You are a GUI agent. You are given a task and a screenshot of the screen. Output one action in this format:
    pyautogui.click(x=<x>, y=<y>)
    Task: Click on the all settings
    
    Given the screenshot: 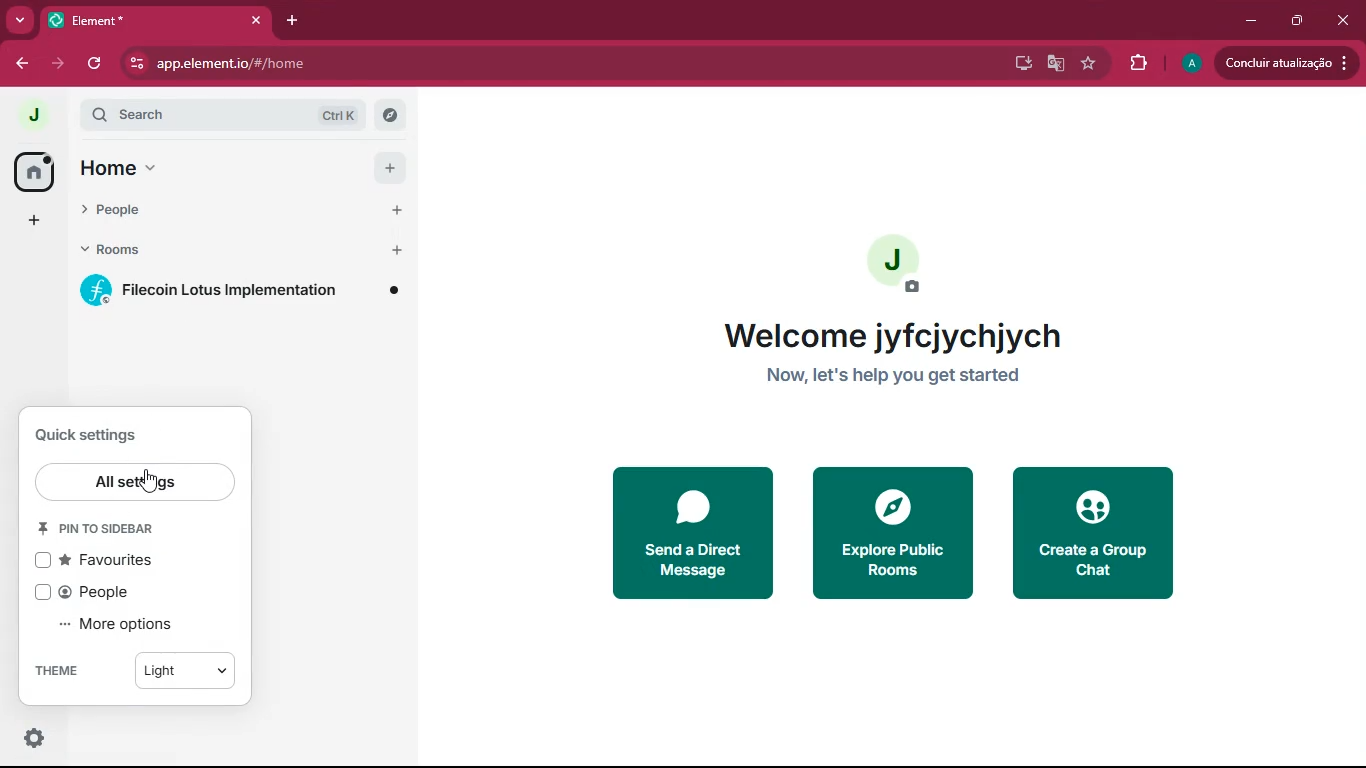 What is the action you would take?
    pyautogui.click(x=136, y=481)
    